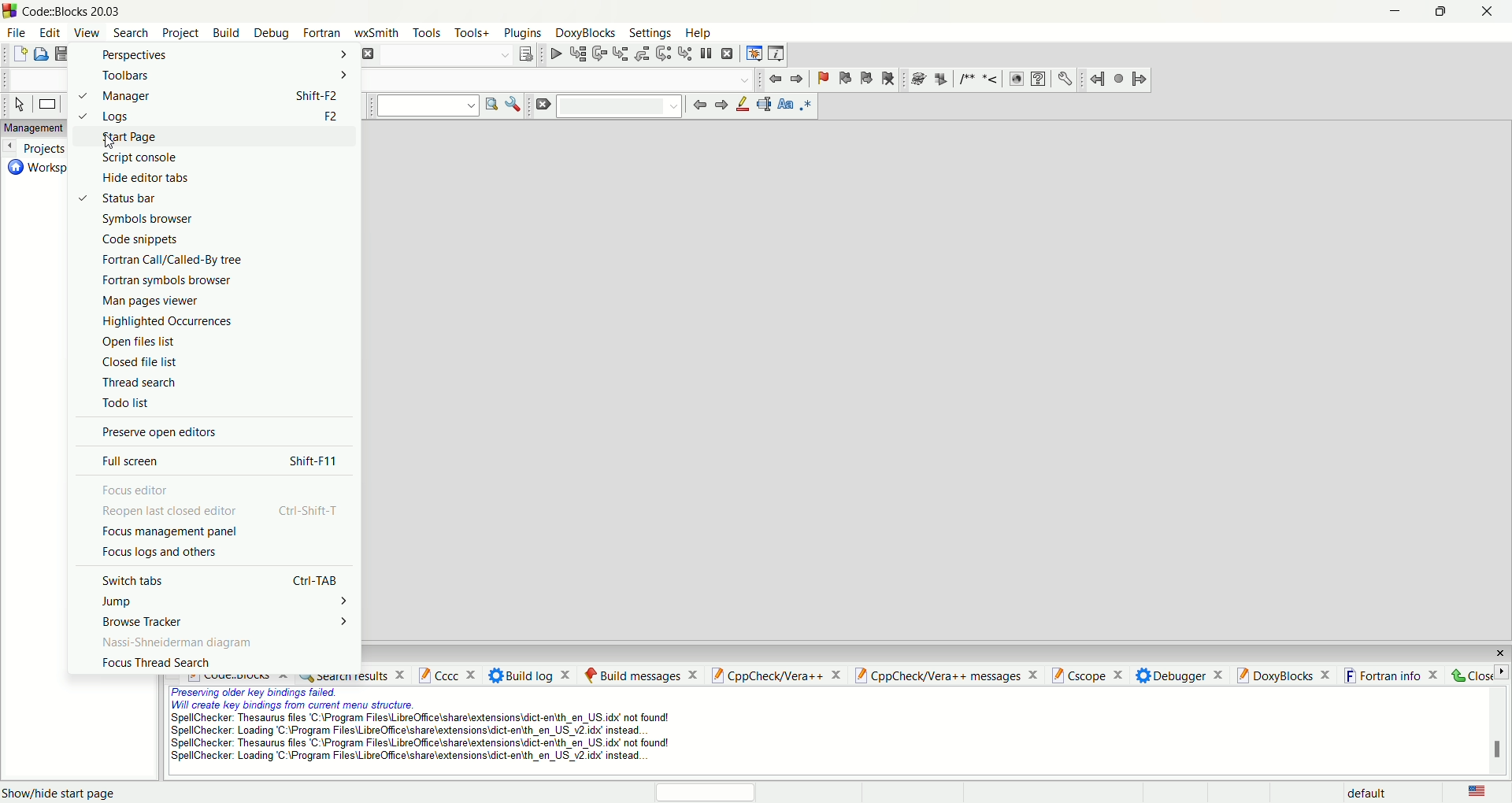 The image size is (1512, 803). Describe the element at coordinates (586, 33) in the screenshot. I see `doxyblocks` at that location.